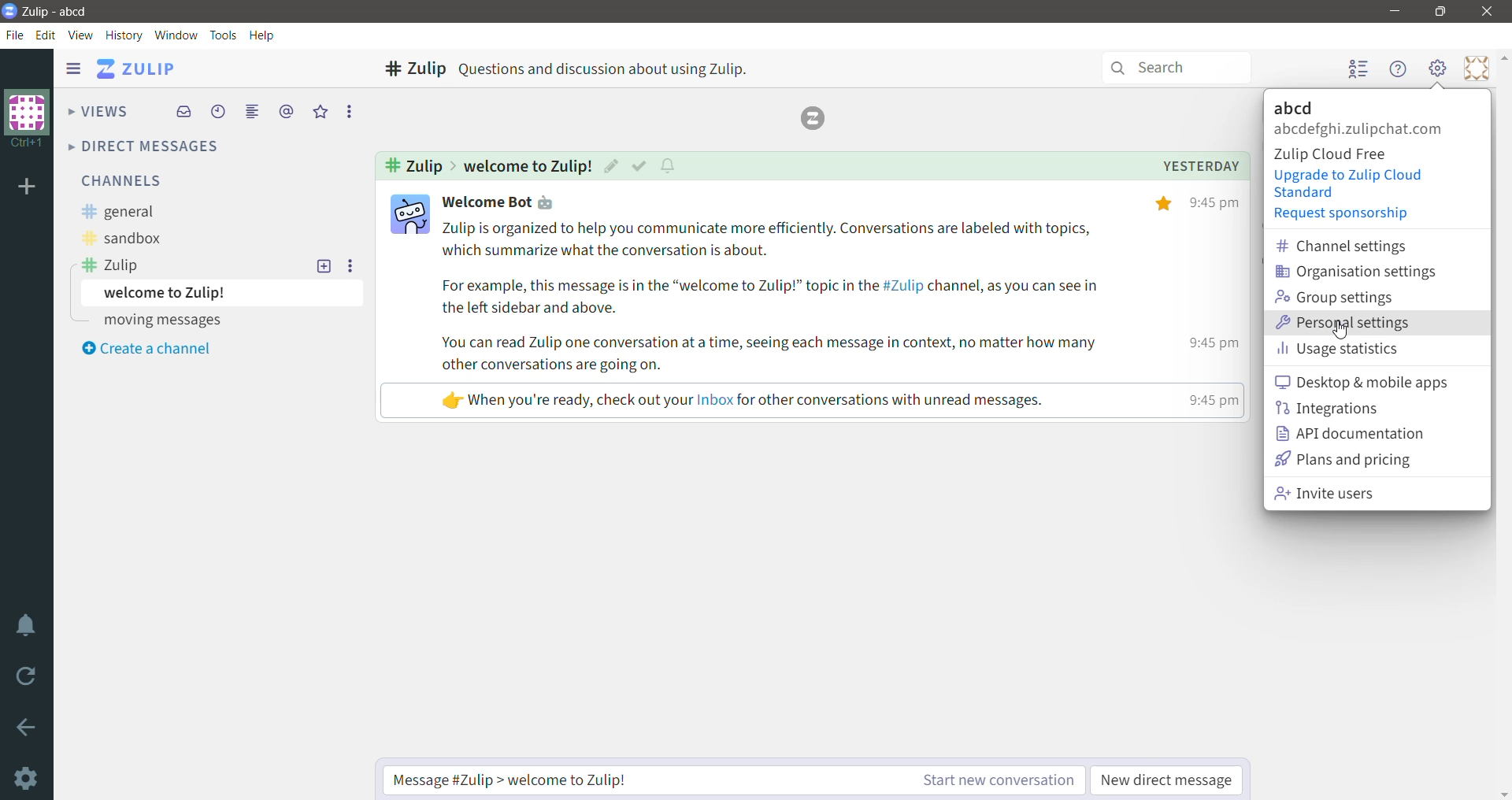 This screenshot has width=1512, height=800. What do you see at coordinates (639, 165) in the screenshot?
I see `Mark as resolved` at bounding box center [639, 165].